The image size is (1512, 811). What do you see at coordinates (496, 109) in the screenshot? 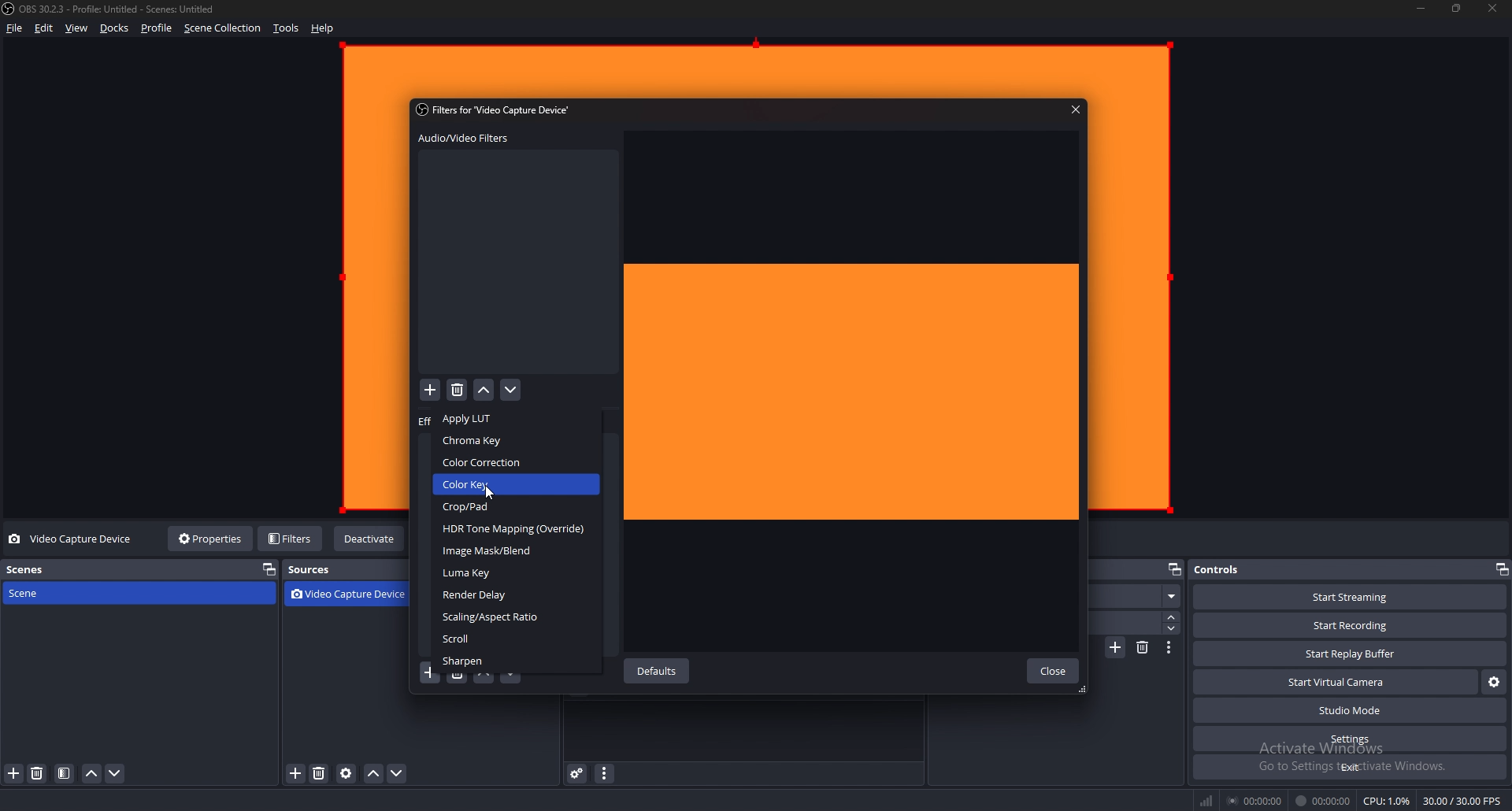
I see `Filters for "Video Capture Device’` at bounding box center [496, 109].